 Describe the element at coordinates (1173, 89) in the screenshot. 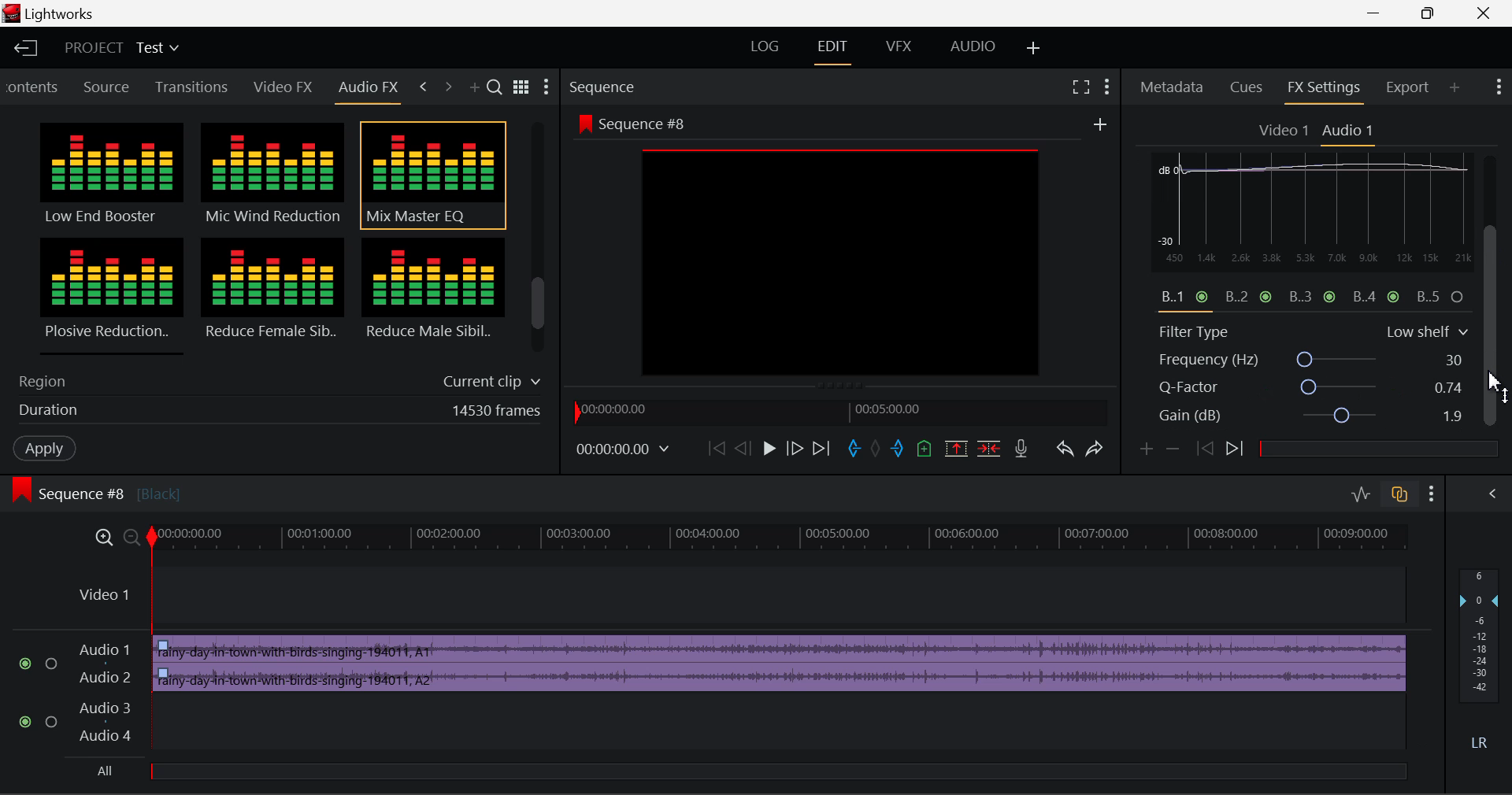

I see `Metadata` at that location.